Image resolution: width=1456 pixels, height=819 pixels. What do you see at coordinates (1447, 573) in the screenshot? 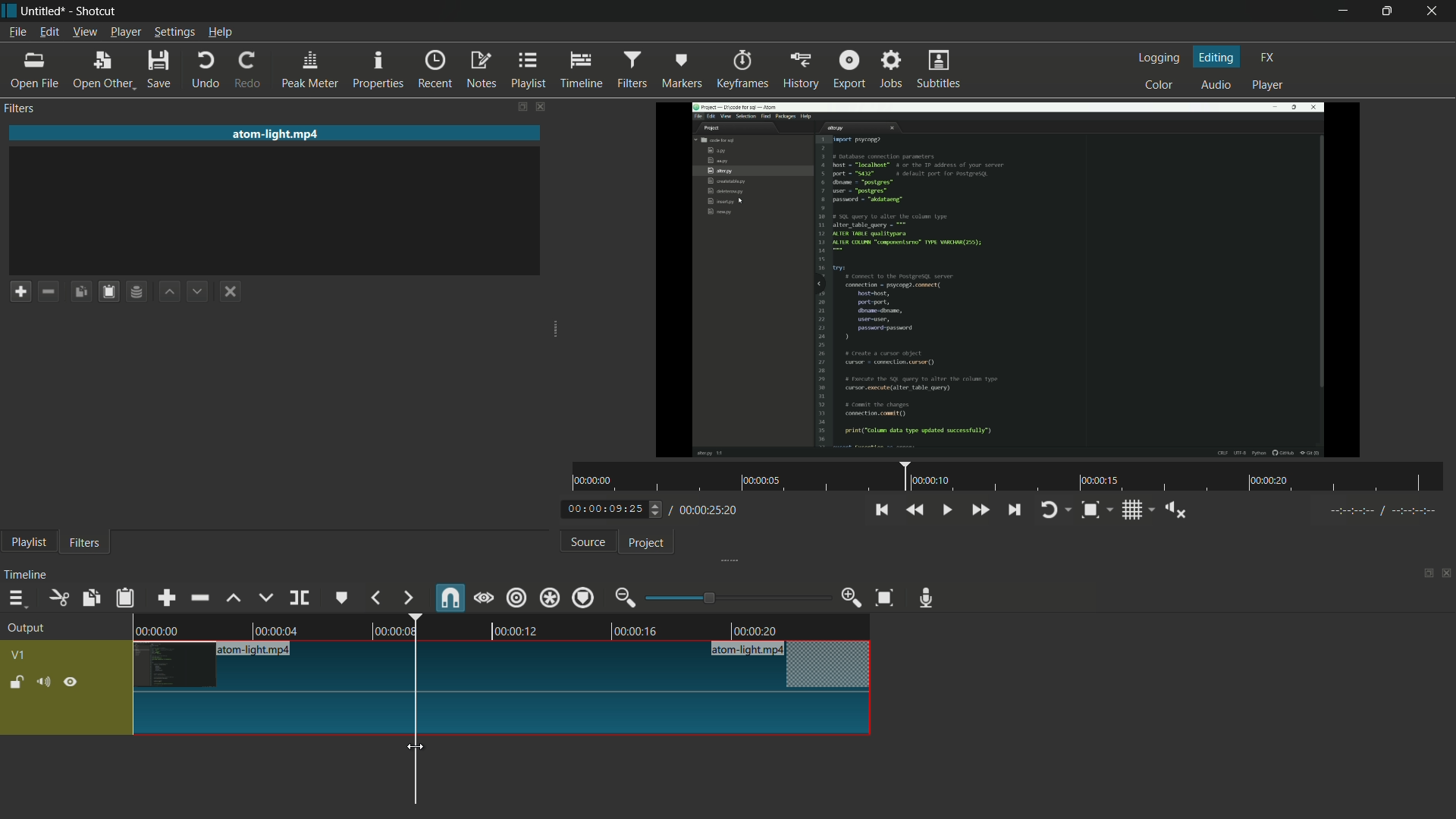
I see `close timeline` at bounding box center [1447, 573].